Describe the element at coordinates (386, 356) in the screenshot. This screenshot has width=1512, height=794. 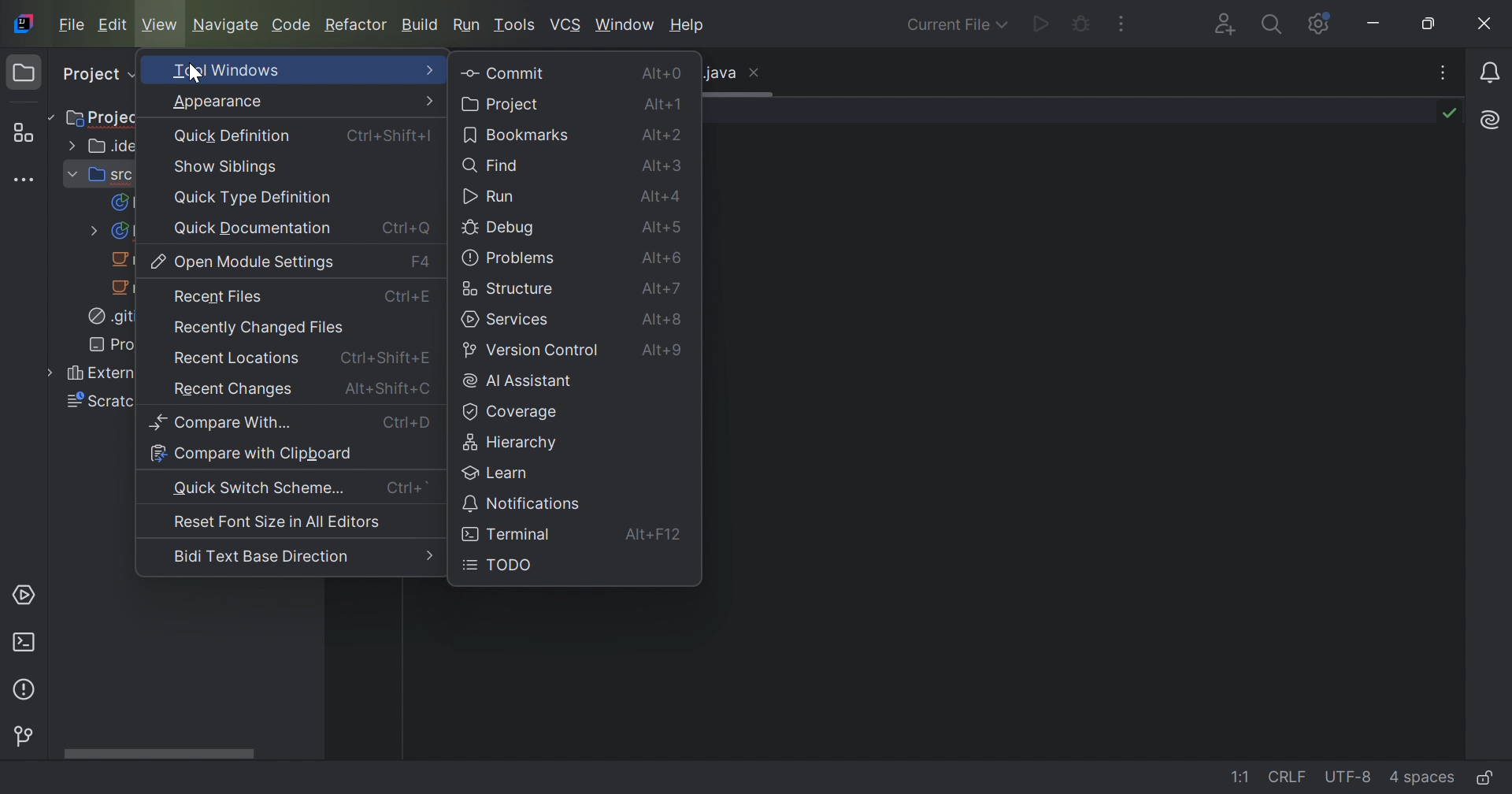
I see `Ctrl+Shift+E` at that location.